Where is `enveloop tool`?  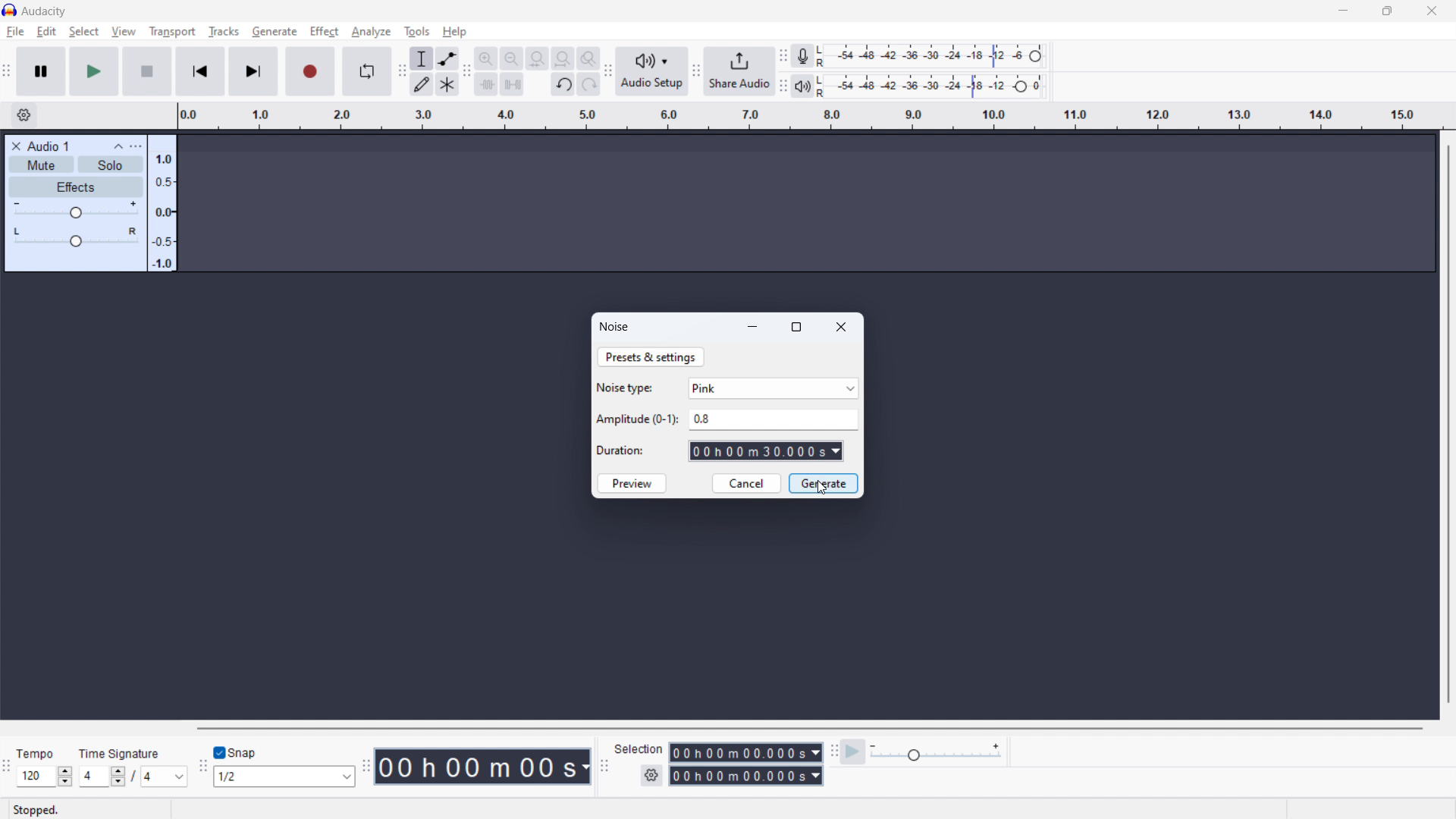
enveloop tool is located at coordinates (447, 58).